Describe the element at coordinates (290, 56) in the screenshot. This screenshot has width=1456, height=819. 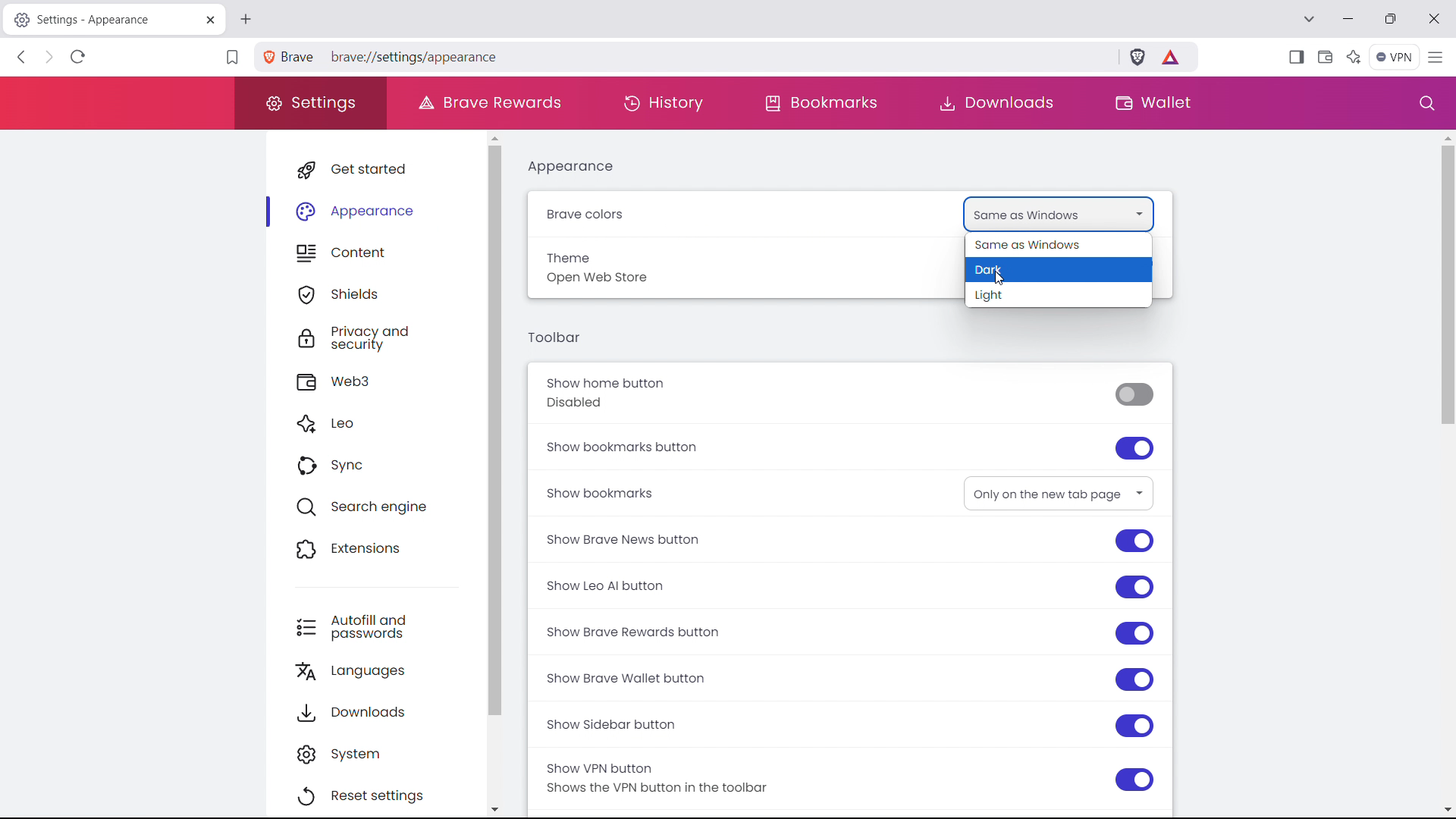
I see `Brave` at that location.